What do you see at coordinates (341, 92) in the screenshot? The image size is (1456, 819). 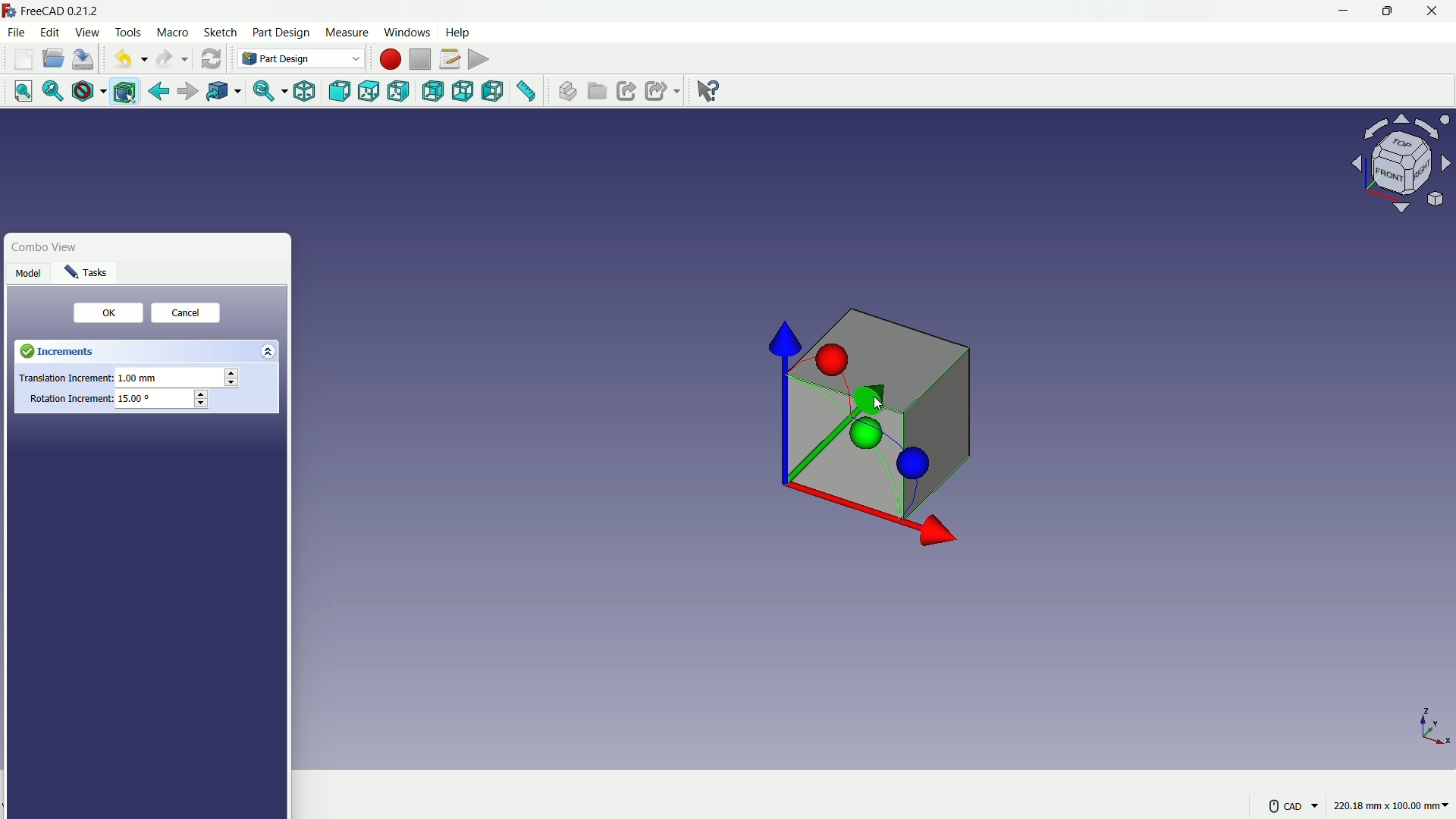 I see `front view` at bounding box center [341, 92].